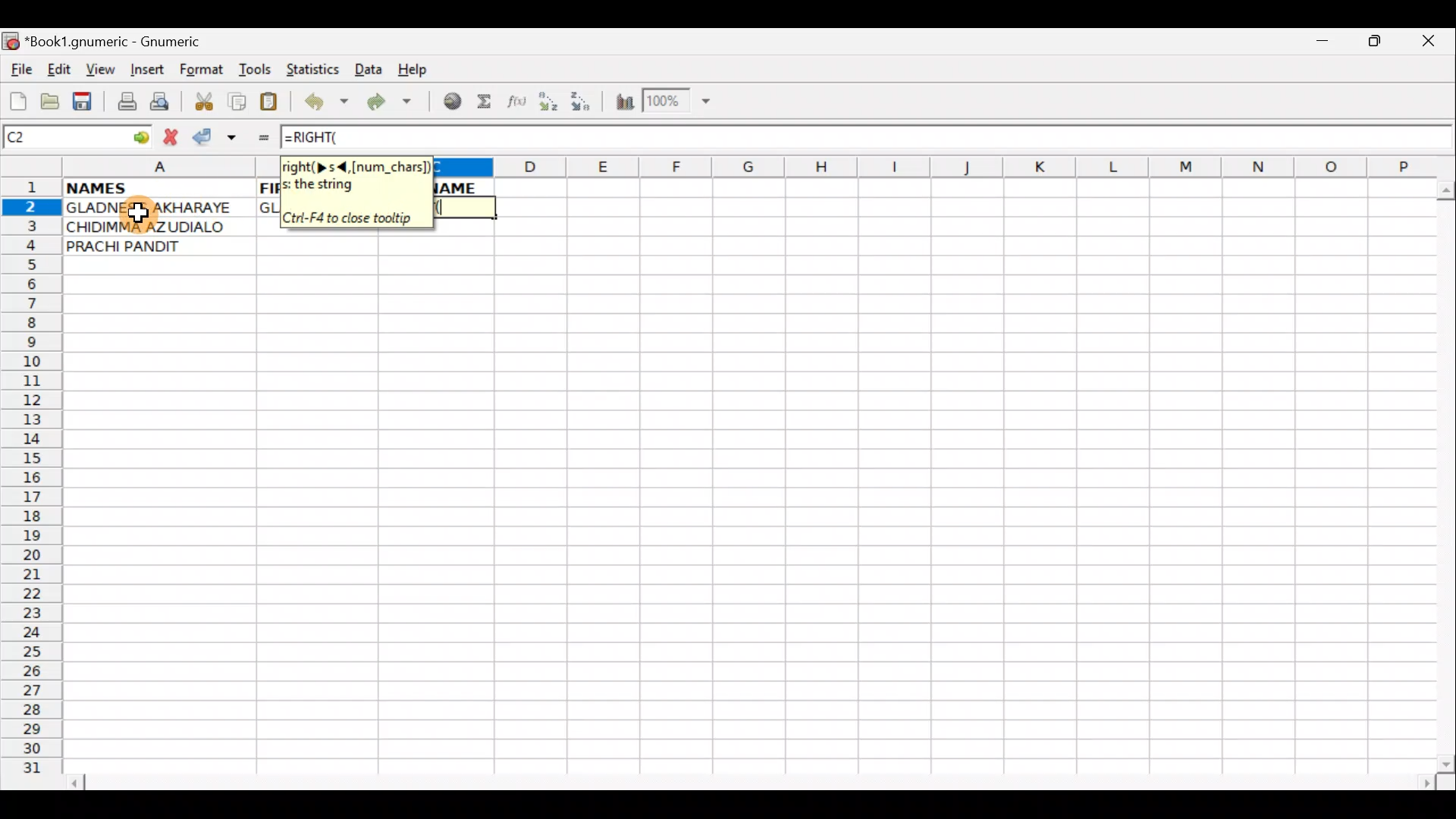  I want to click on Cursor on cell A2, so click(146, 209).